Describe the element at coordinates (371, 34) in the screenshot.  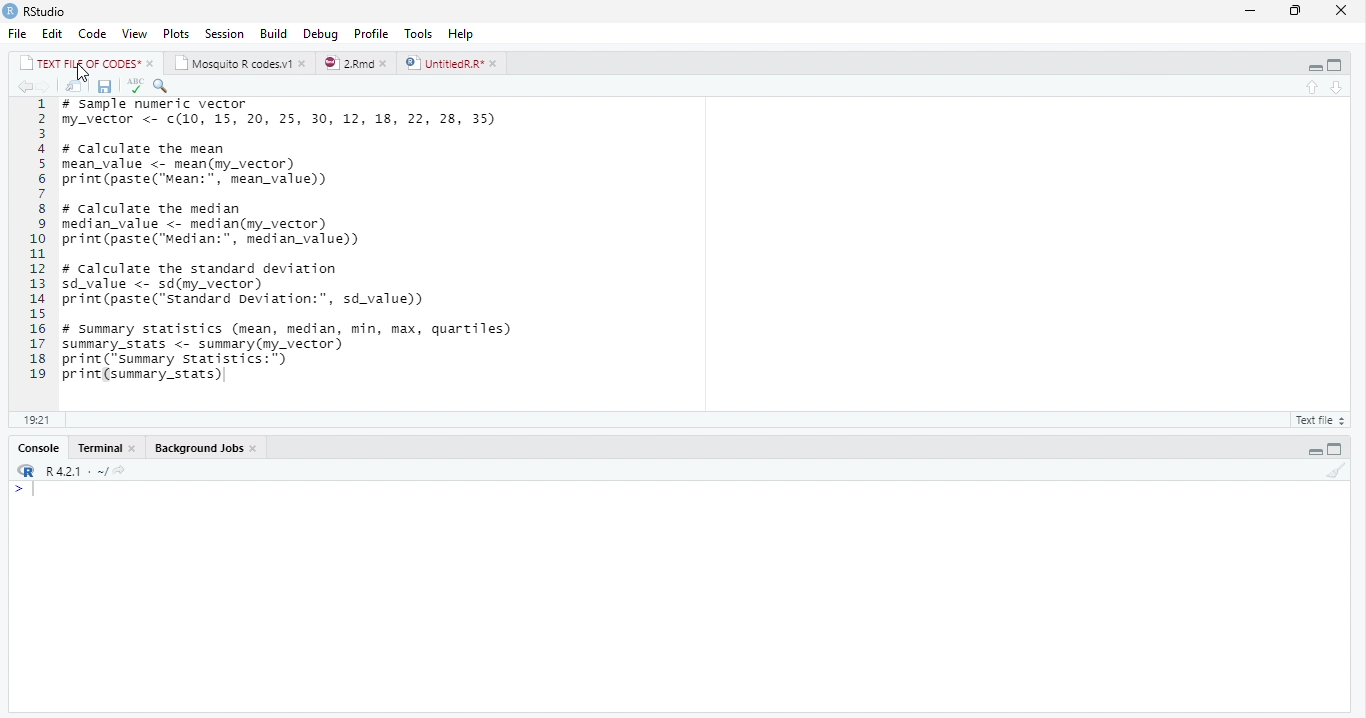
I see `profile` at that location.